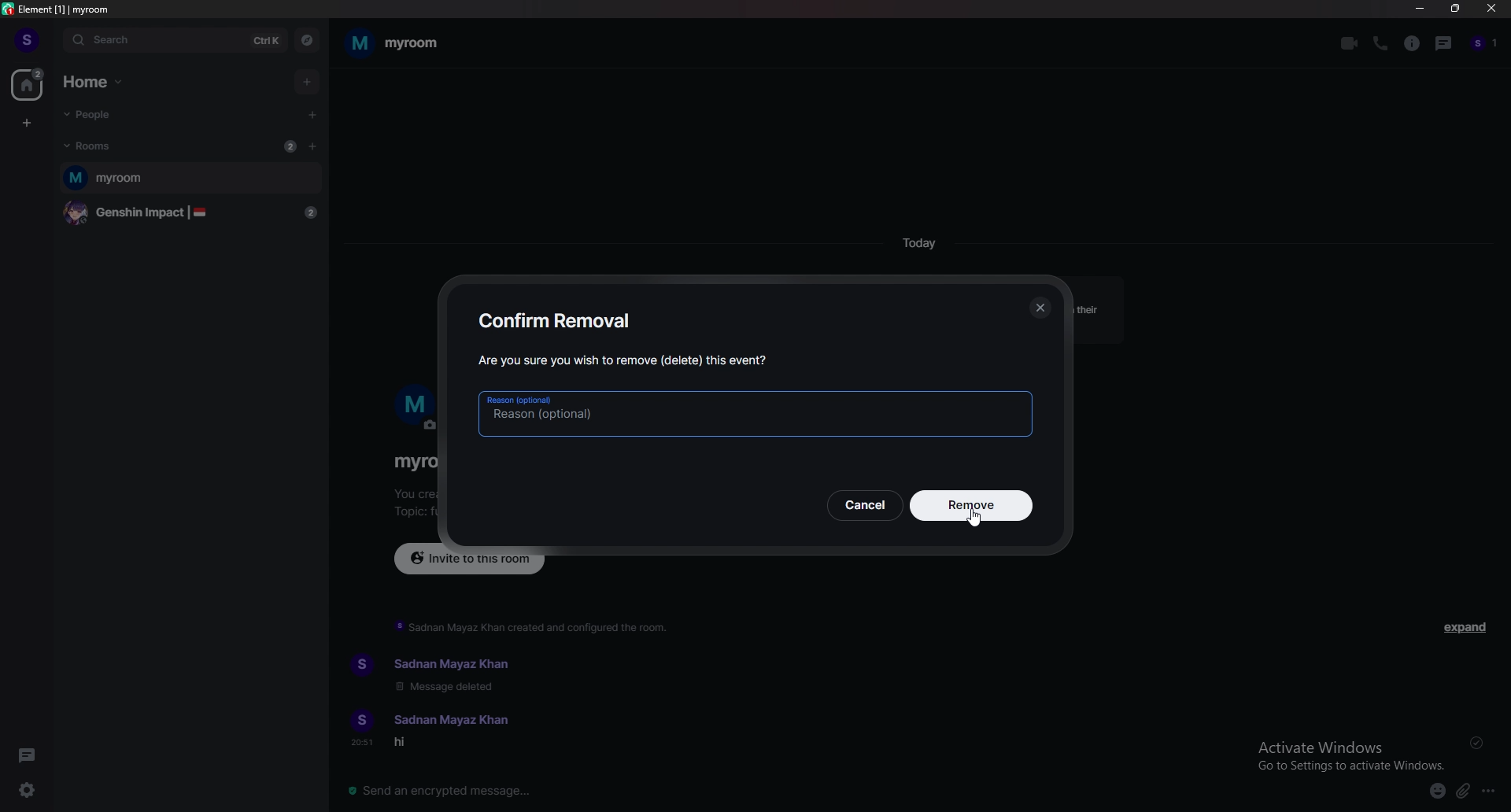 The image size is (1511, 812). I want to click on rooms, so click(97, 146).